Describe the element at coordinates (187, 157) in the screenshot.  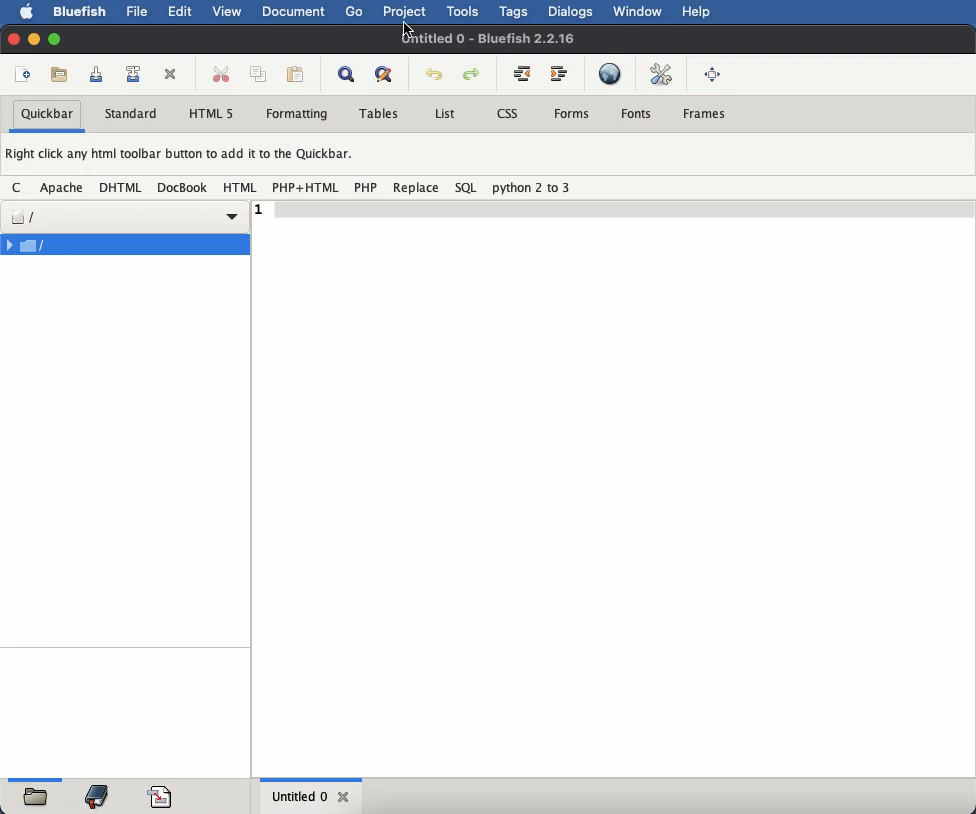
I see `Right click any html toolbar button to add it to the Quickbar` at that location.